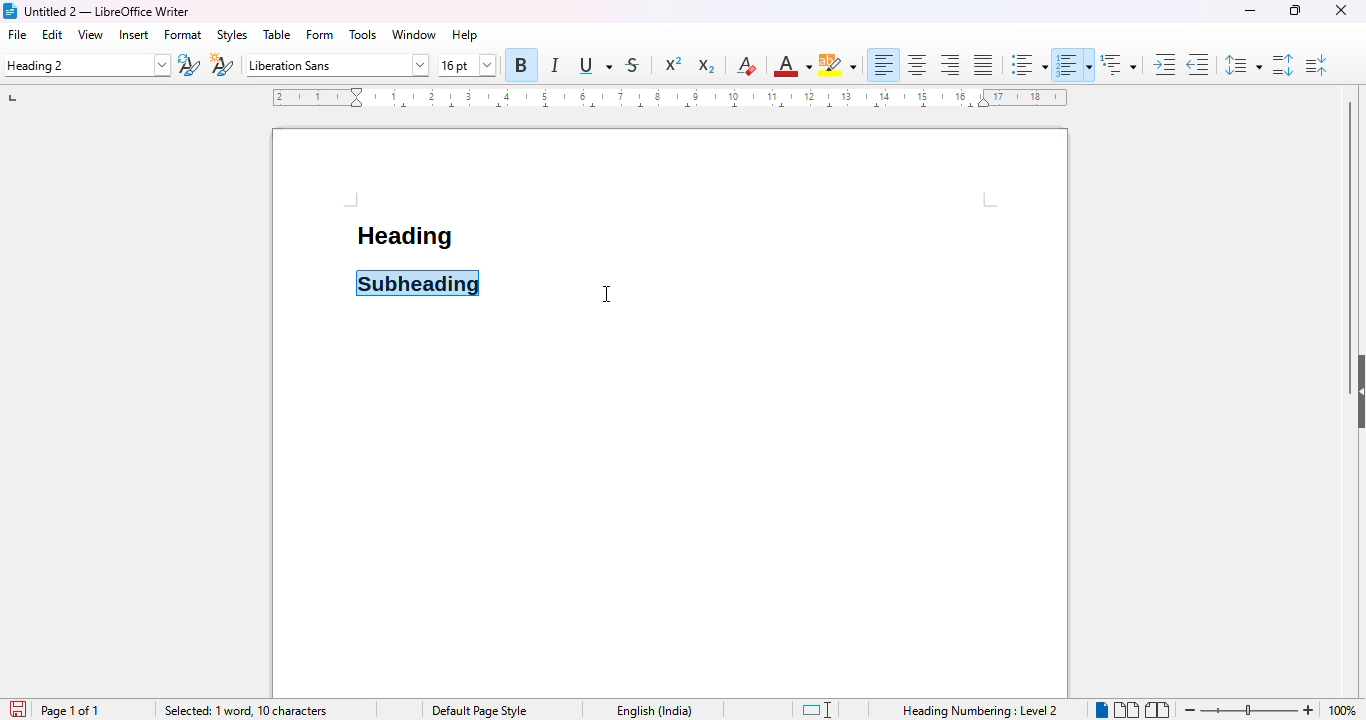 The image size is (1366, 720). What do you see at coordinates (706, 66) in the screenshot?
I see `subscript` at bounding box center [706, 66].